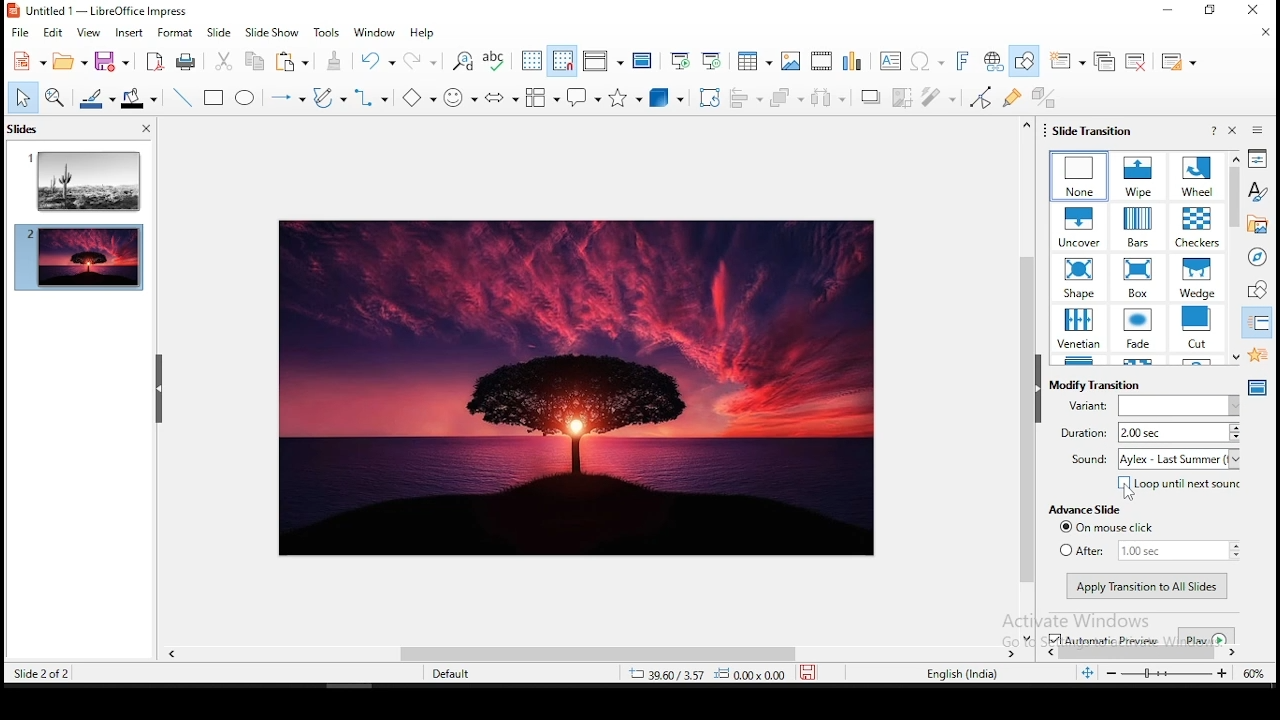 The width and height of the screenshot is (1280, 720). What do you see at coordinates (1262, 32) in the screenshot?
I see `close` at bounding box center [1262, 32].